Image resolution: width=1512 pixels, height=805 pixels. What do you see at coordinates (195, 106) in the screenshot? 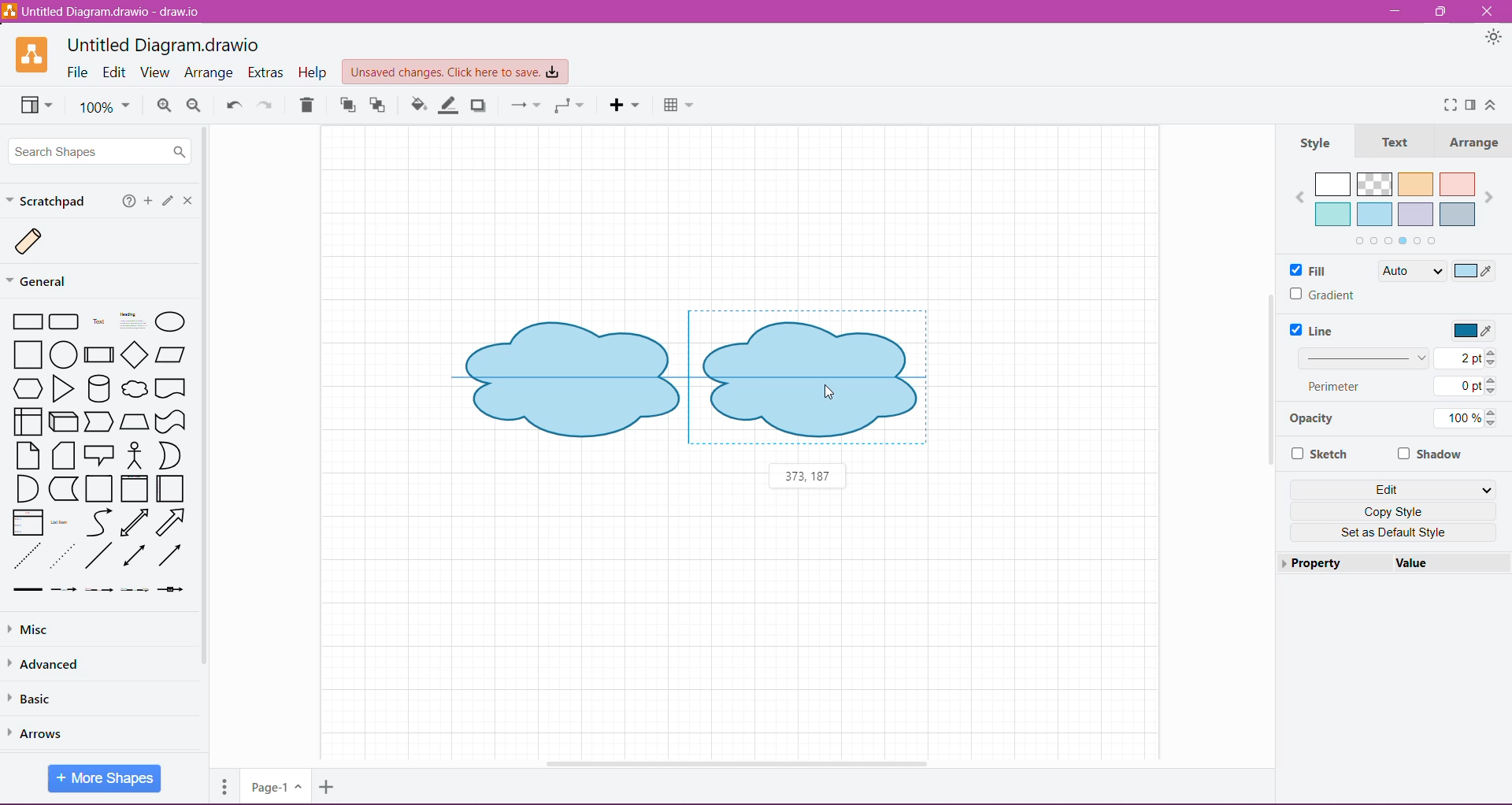
I see `Zoom Out` at bounding box center [195, 106].